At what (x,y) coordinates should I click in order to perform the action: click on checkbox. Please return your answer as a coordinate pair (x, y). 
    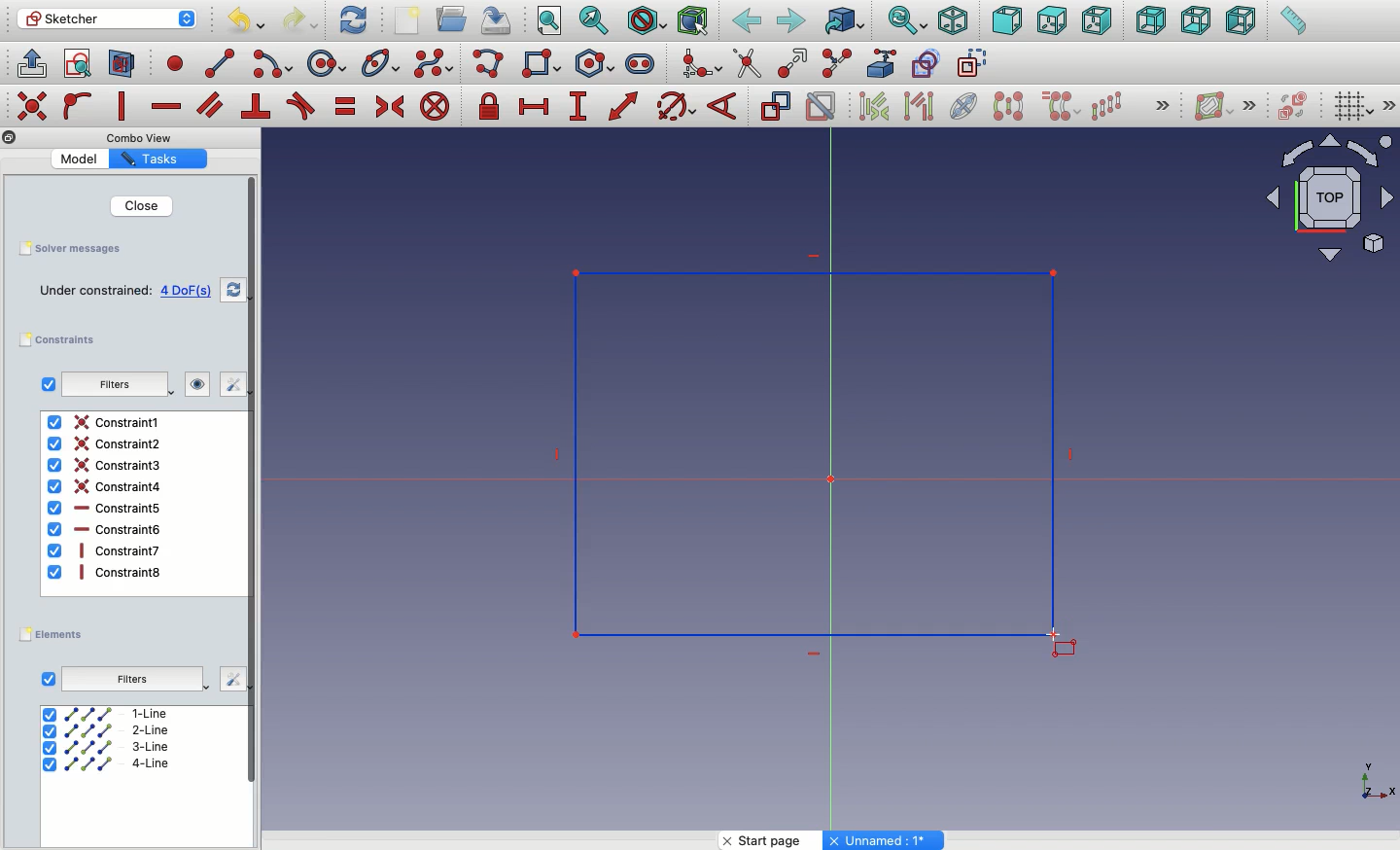
    Looking at the image, I should click on (48, 384).